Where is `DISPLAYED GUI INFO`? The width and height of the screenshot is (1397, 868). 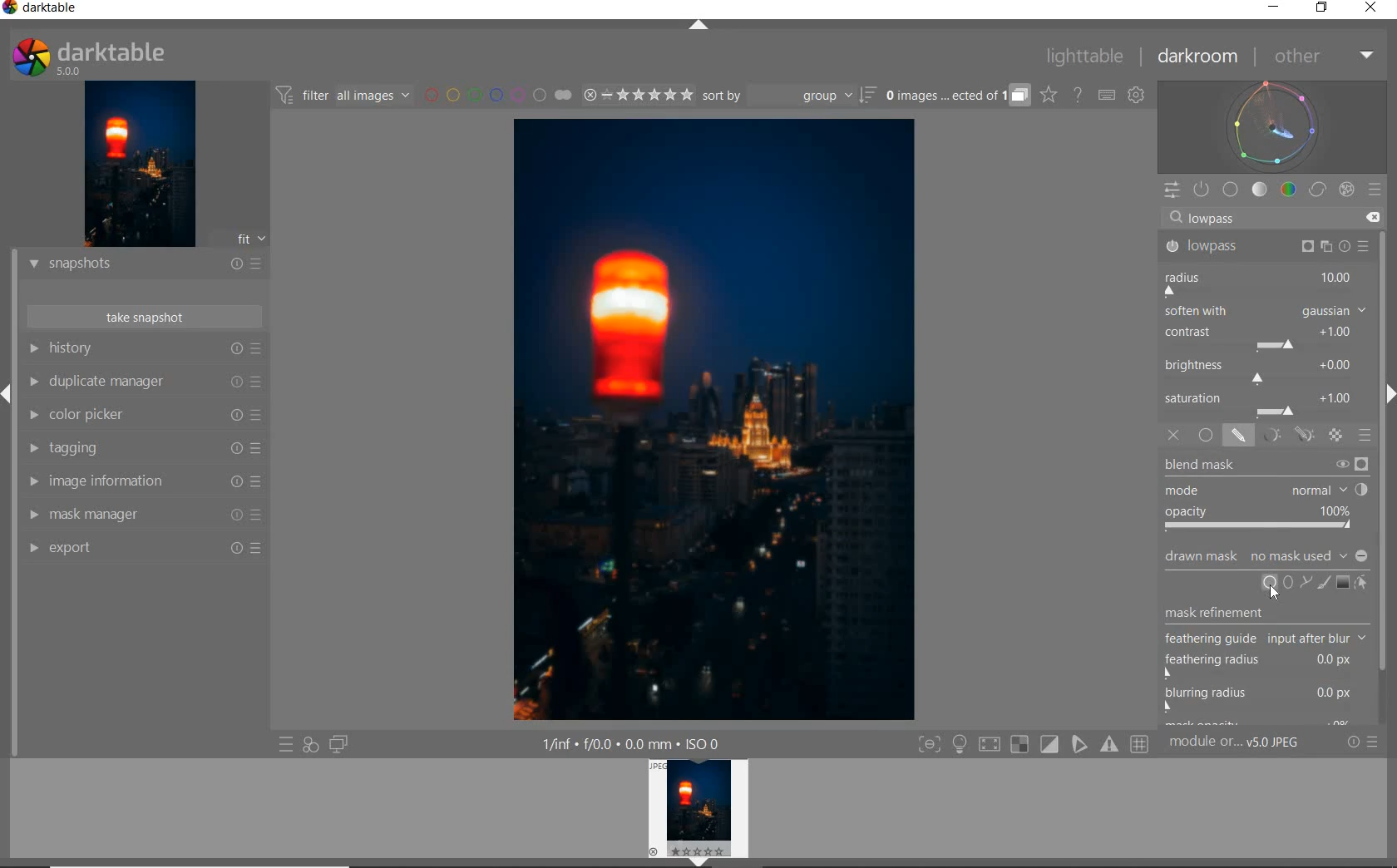 DISPLAYED GUI INFO is located at coordinates (632, 742).